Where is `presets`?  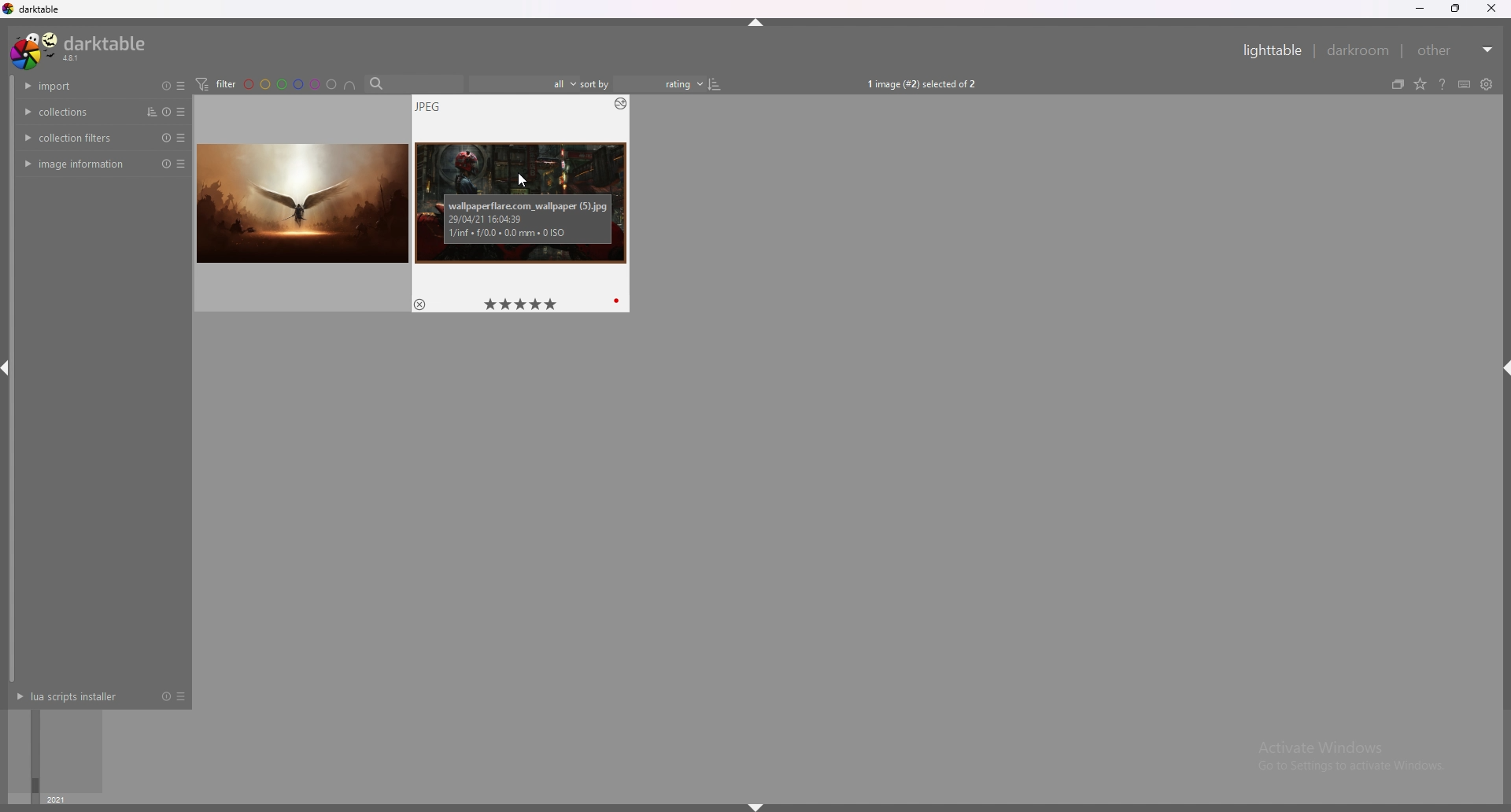 presets is located at coordinates (183, 138).